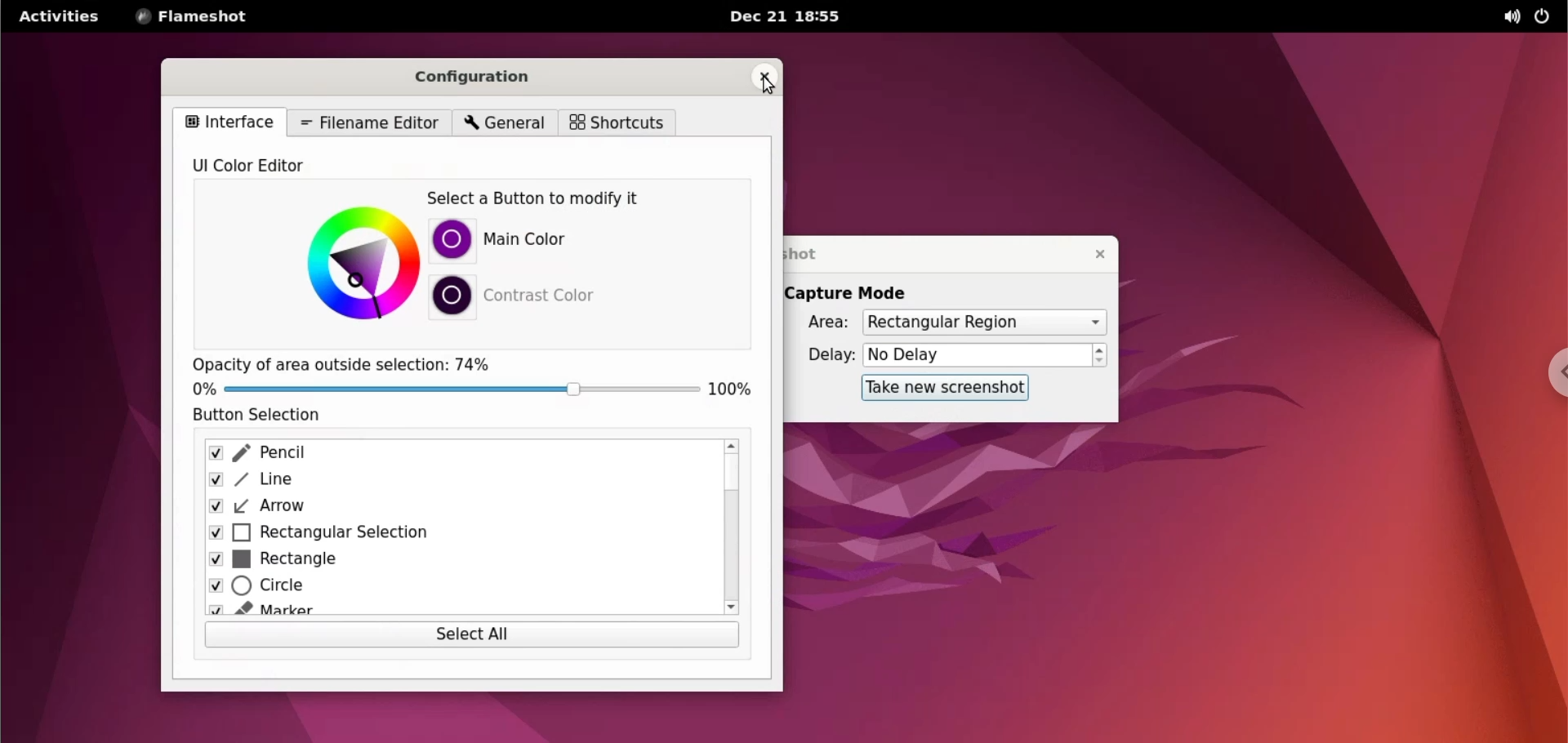  Describe the element at coordinates (341, 363) in the screenshot. I see `Opacity of area outside selection: 74%` at that location.